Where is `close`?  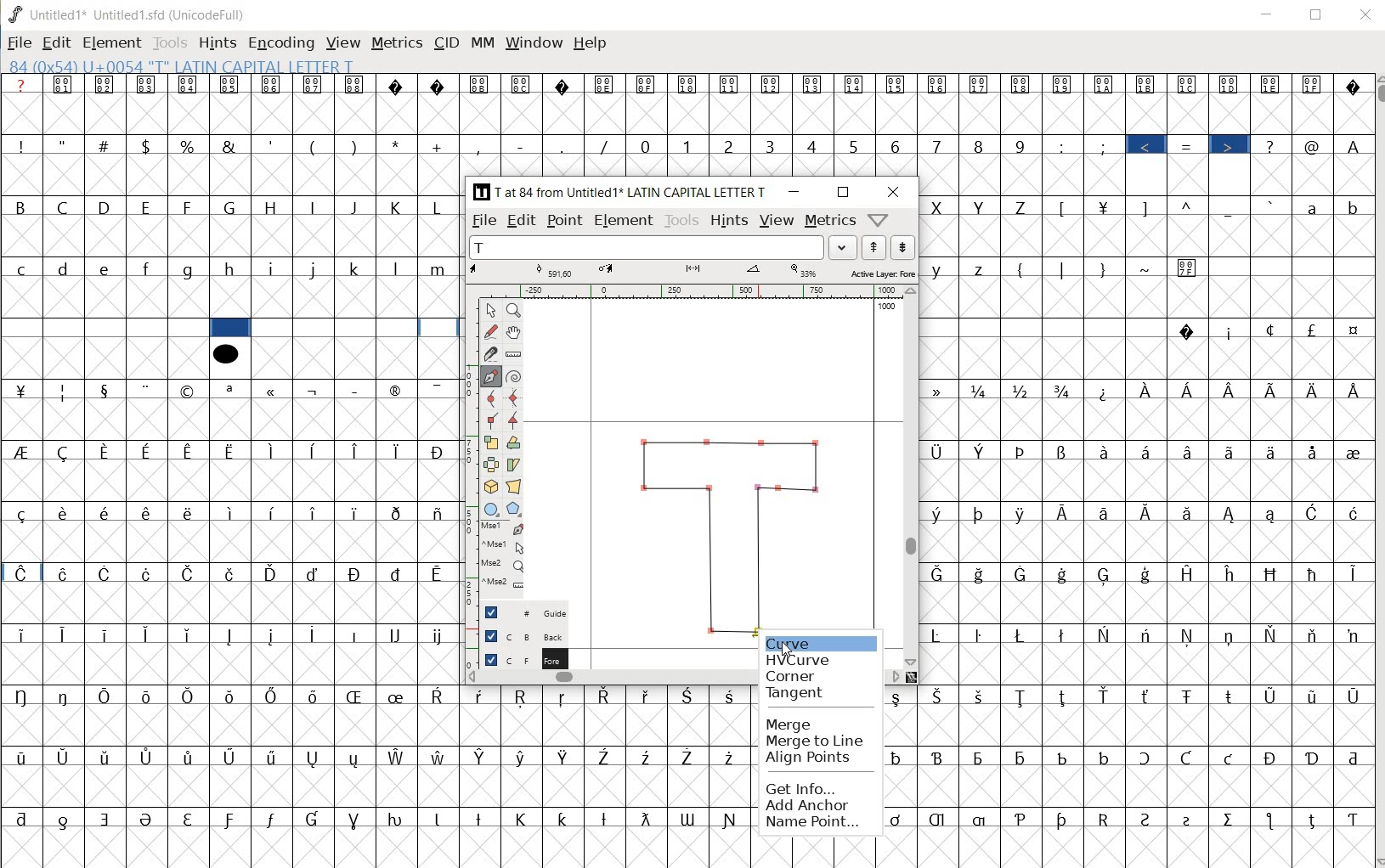 close is located at coordinates (1367, 15).